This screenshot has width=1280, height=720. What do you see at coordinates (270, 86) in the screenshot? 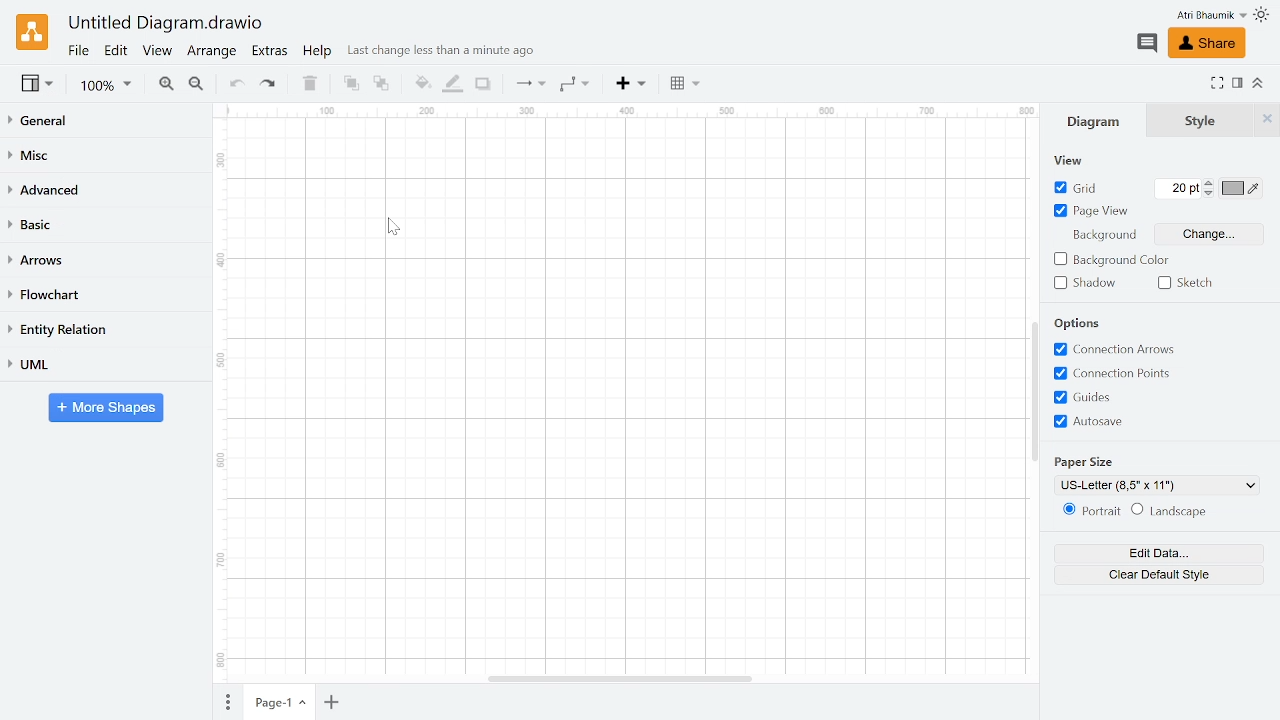
I see `Redo` at bounding box center [270, 86].